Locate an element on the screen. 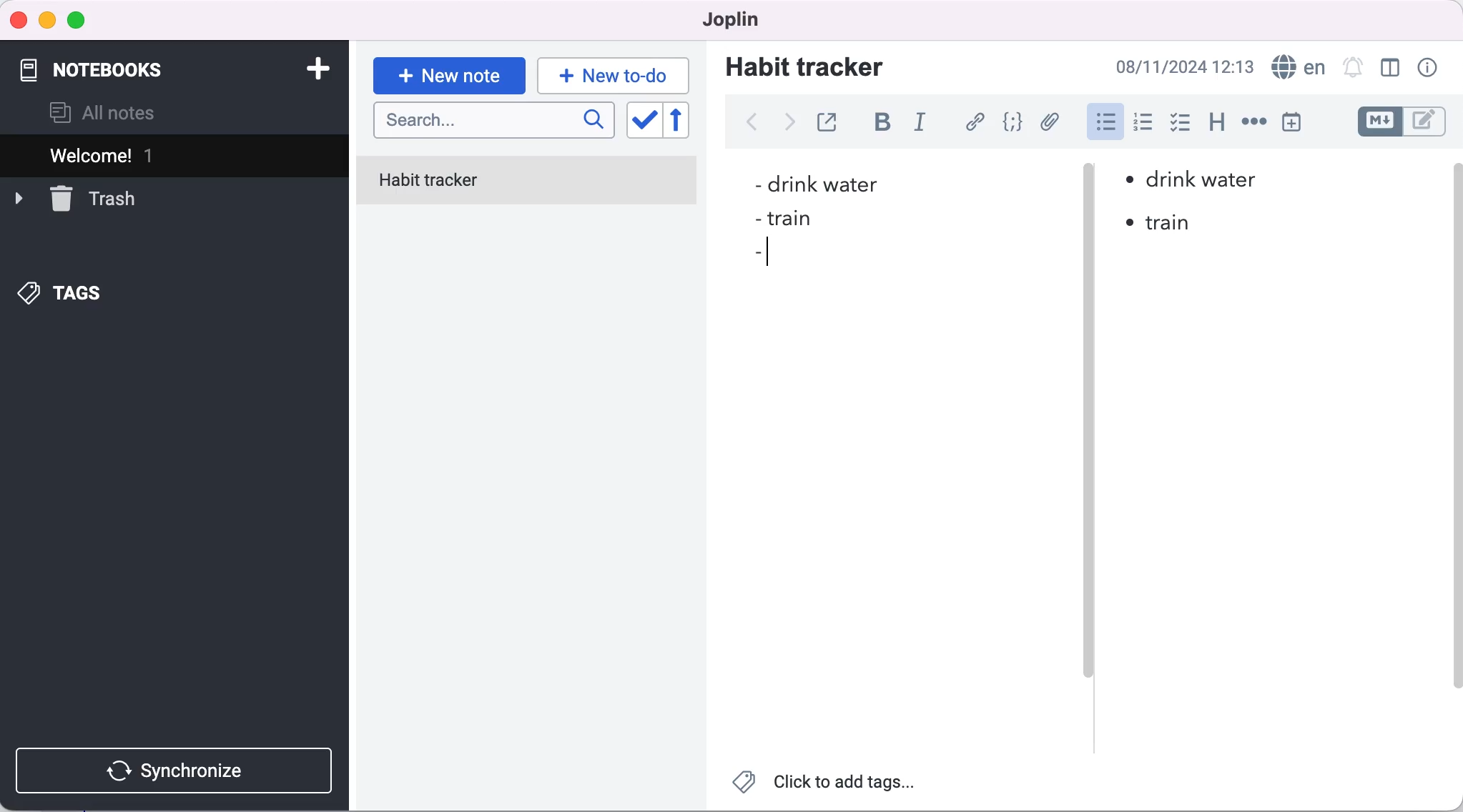 The width and height of the screenshot is (1463, 812). close is located at coordinates (19, 19).